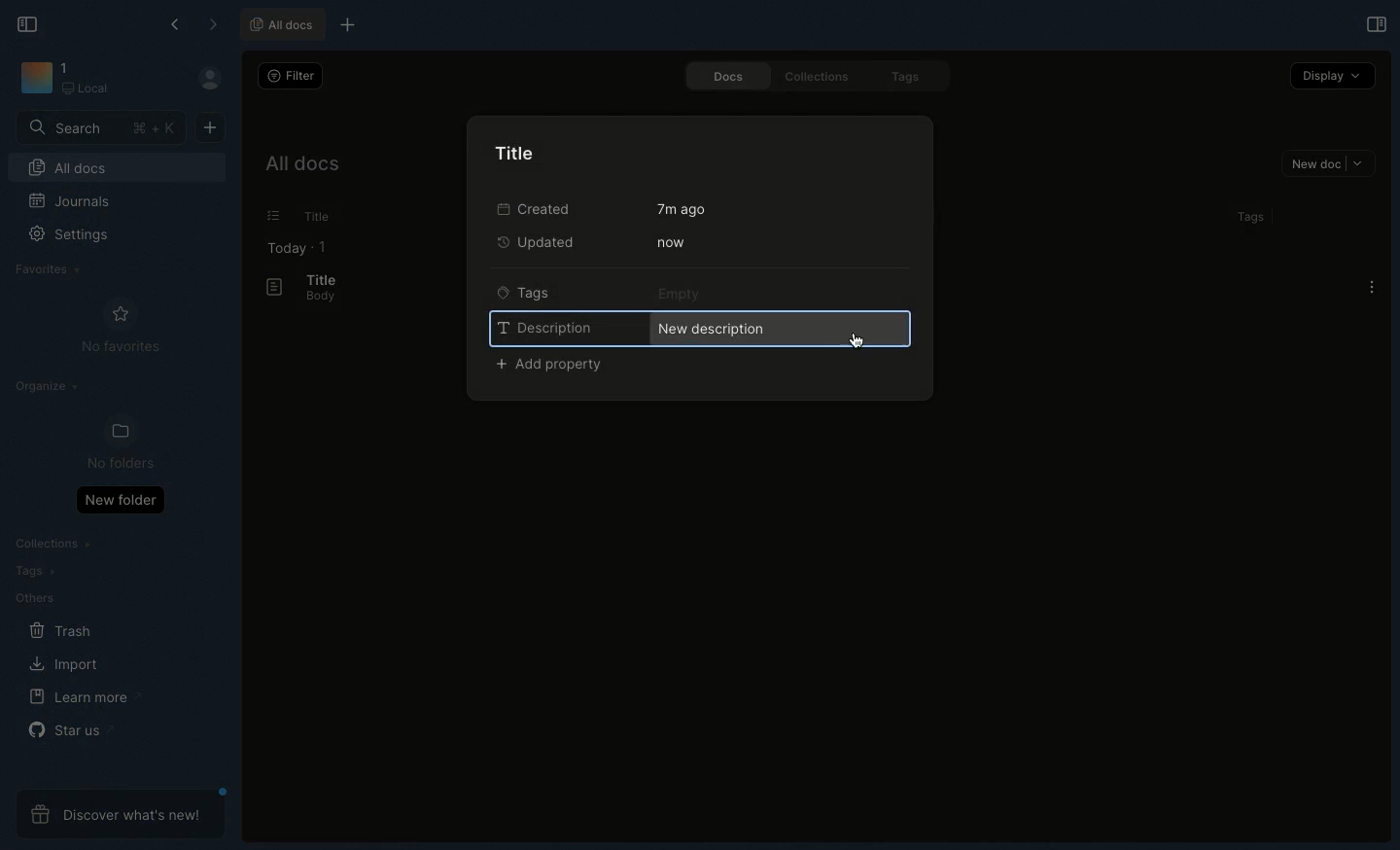 The image size is (1400, 850). What do you see at coordinates (28, 22) in the screenshot?
I see `Collapse sidebar` at bounding box center [28, 22].